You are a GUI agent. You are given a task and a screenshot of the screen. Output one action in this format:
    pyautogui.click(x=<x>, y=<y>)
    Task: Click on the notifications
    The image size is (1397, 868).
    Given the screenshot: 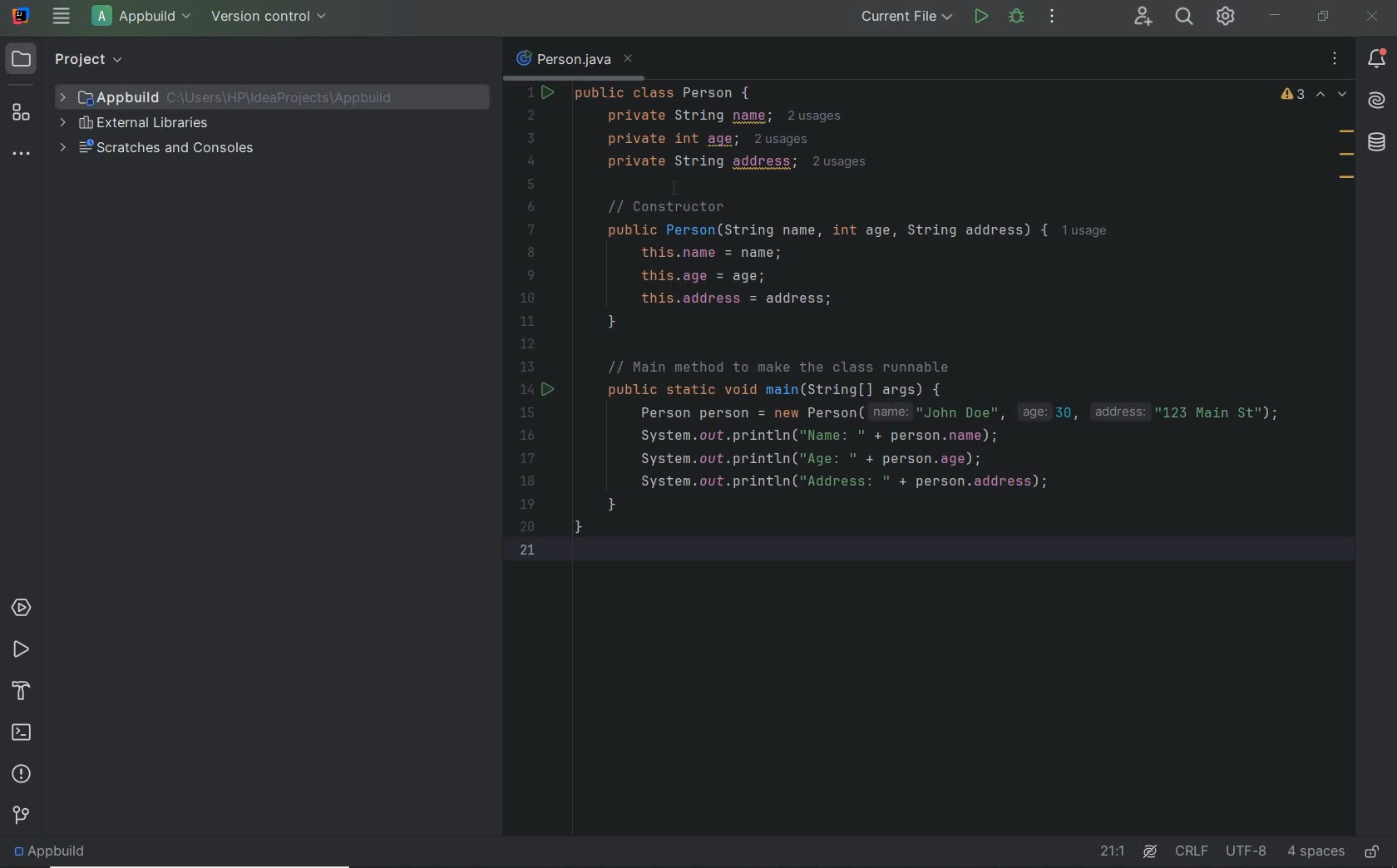 What is the action you would take?
    pyautogui.click(x=1380, y=59)
    